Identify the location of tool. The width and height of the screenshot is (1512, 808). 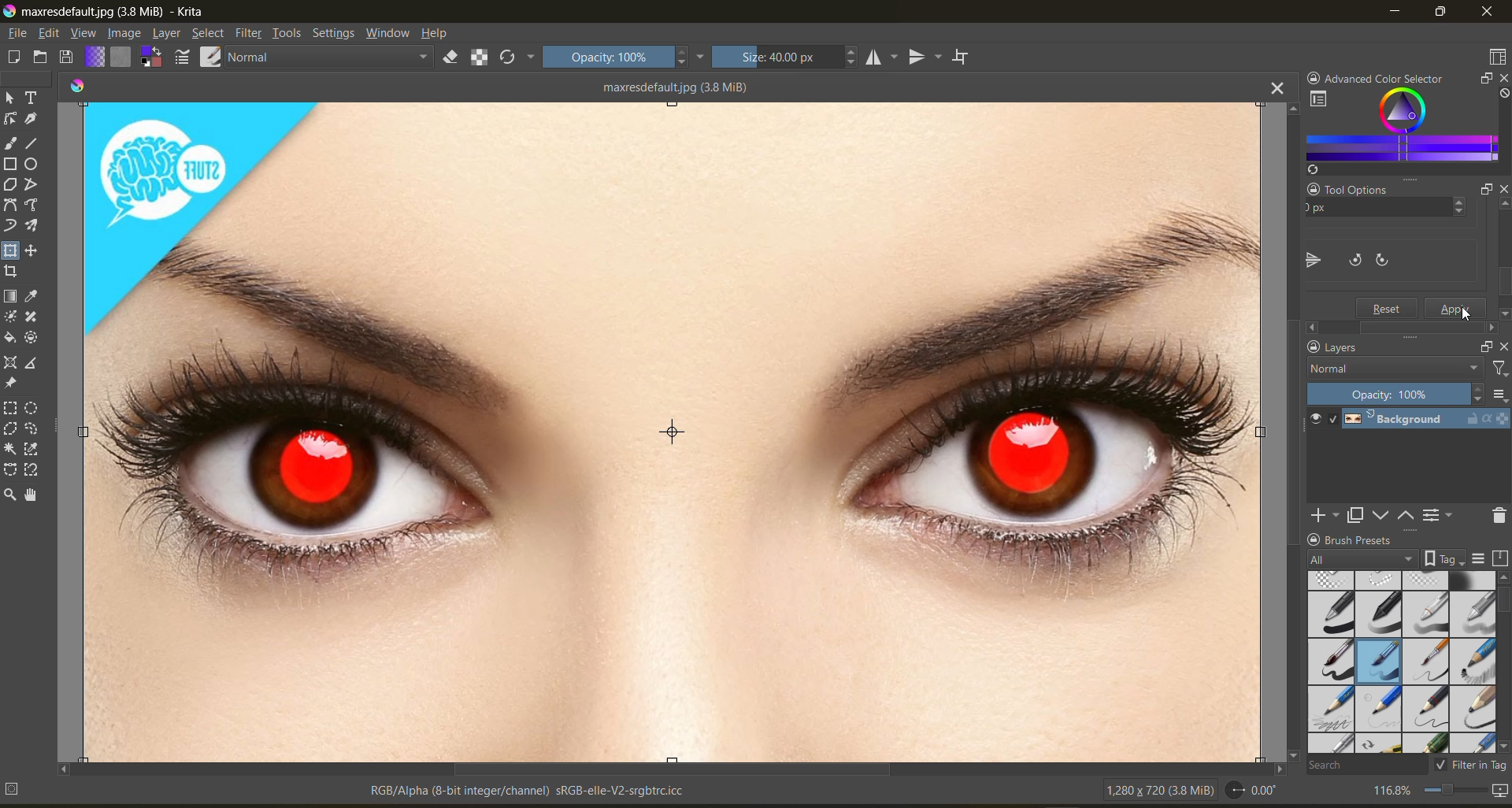
(9, 468).